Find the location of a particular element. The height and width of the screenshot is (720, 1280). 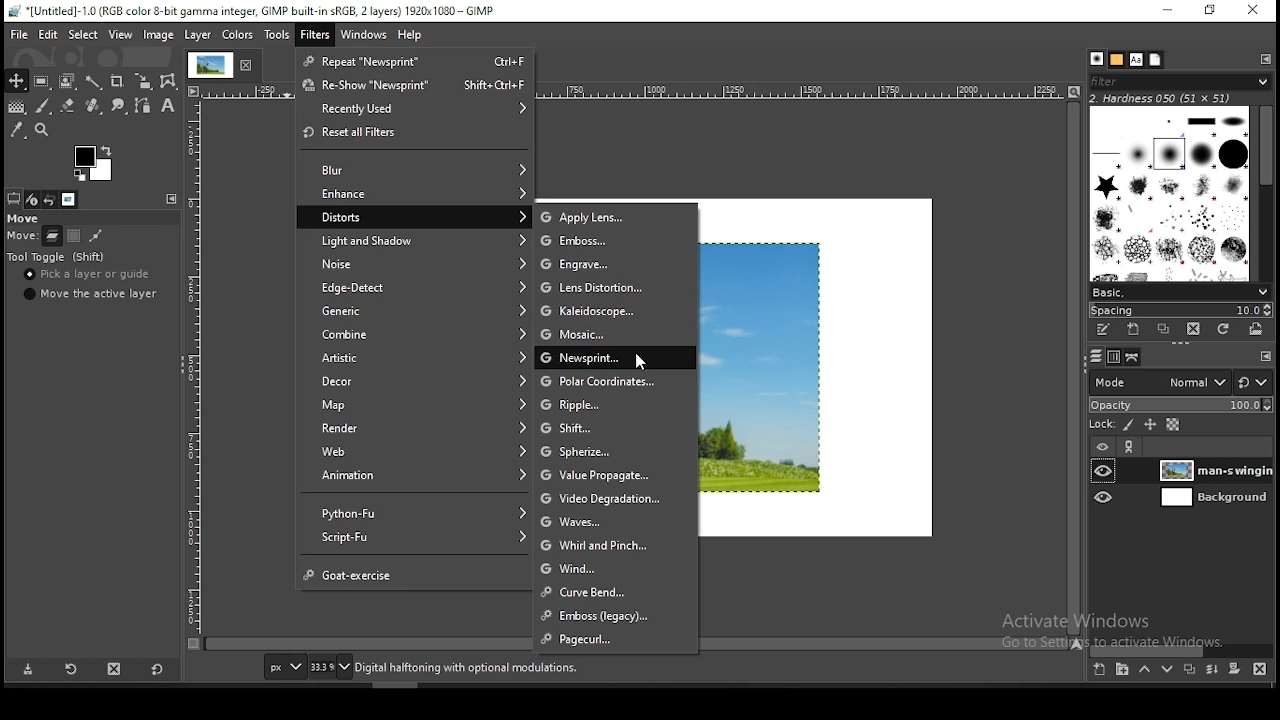

undo history is located at coordinates (48, 199).